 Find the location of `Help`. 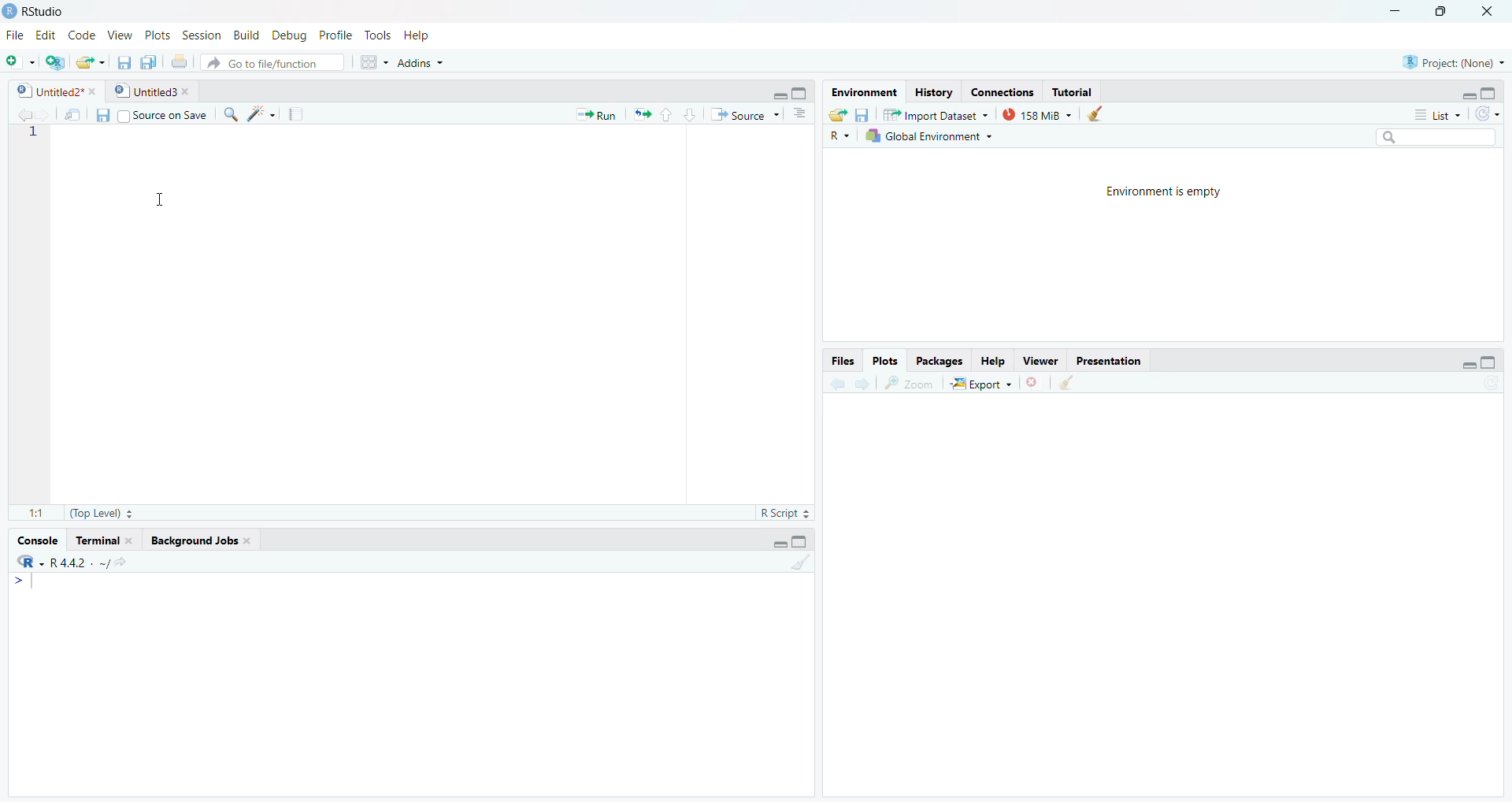

Help is located at coordinates (433, 35).